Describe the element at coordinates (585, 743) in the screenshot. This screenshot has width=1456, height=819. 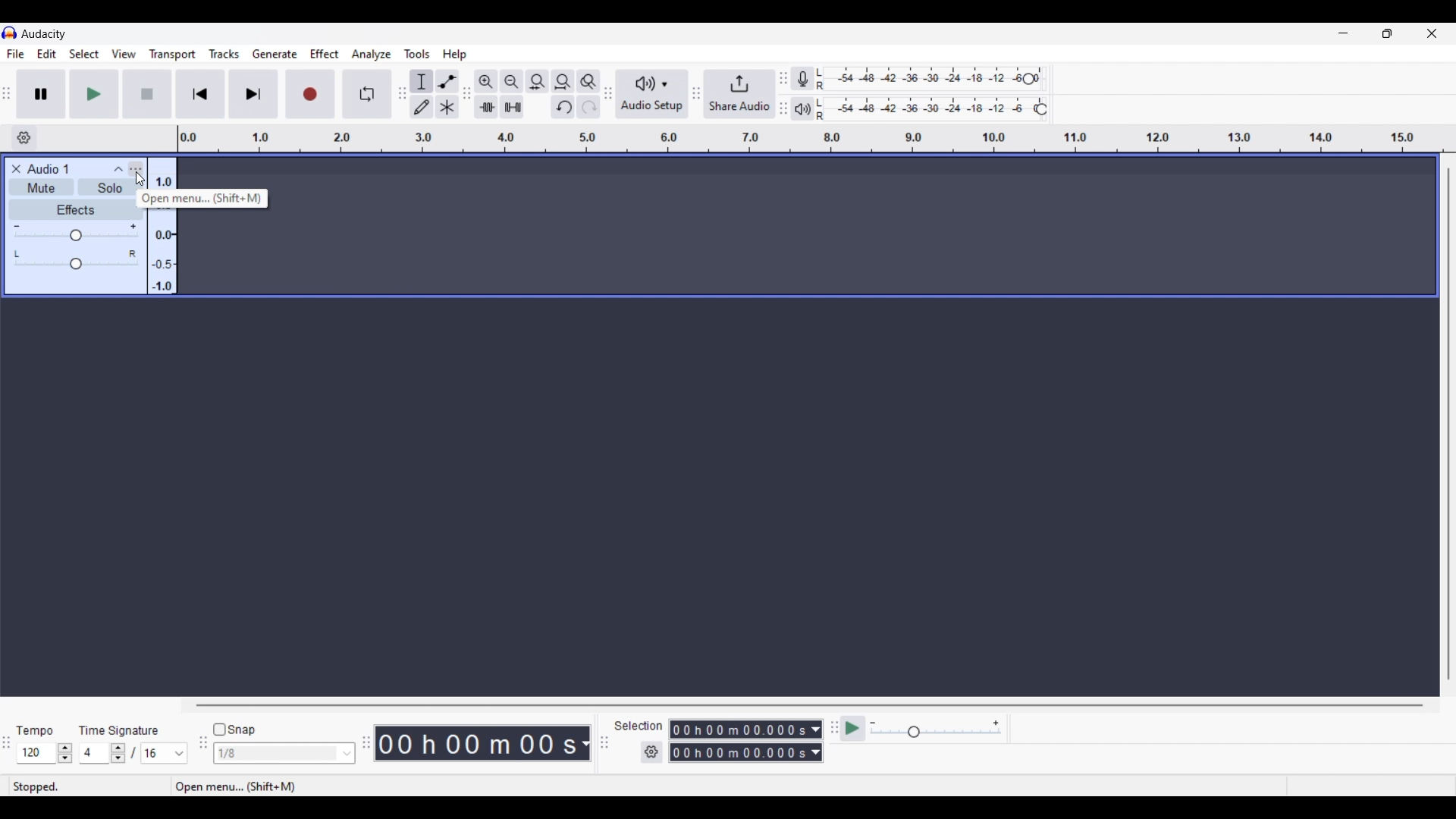
I see `Metrics to calculate recording` at that location.